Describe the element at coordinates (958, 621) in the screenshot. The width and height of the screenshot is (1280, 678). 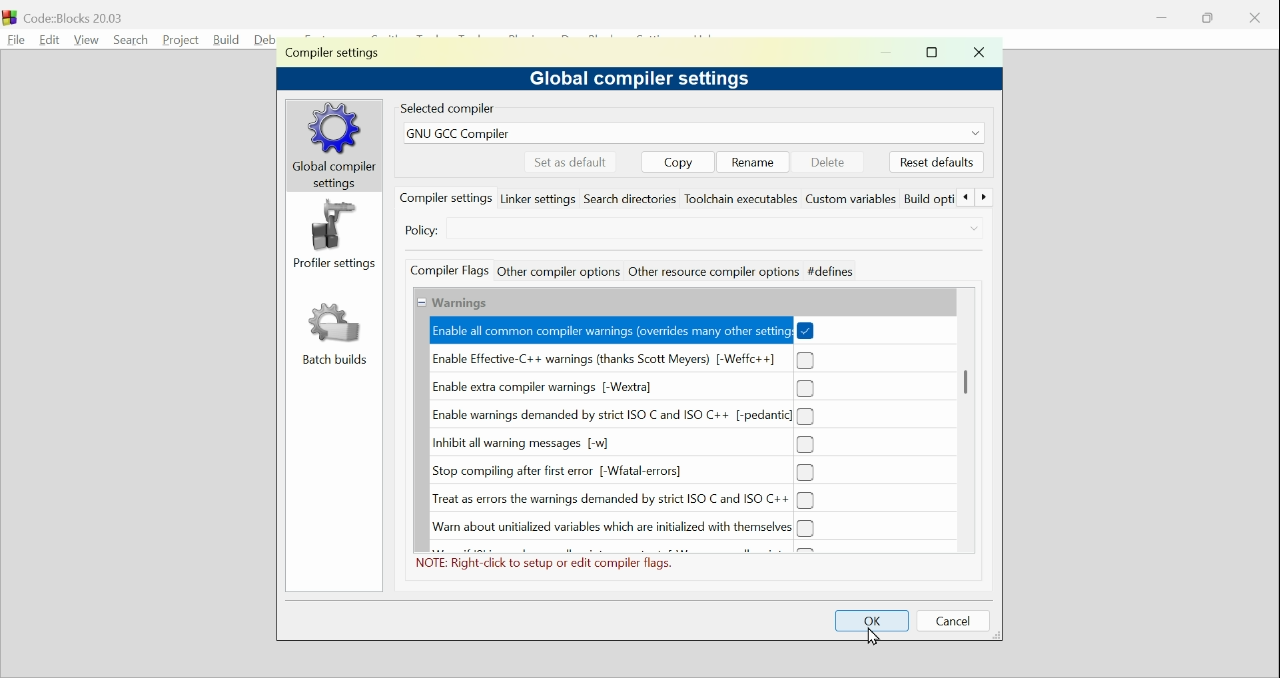
I see `Cancel` at that location.